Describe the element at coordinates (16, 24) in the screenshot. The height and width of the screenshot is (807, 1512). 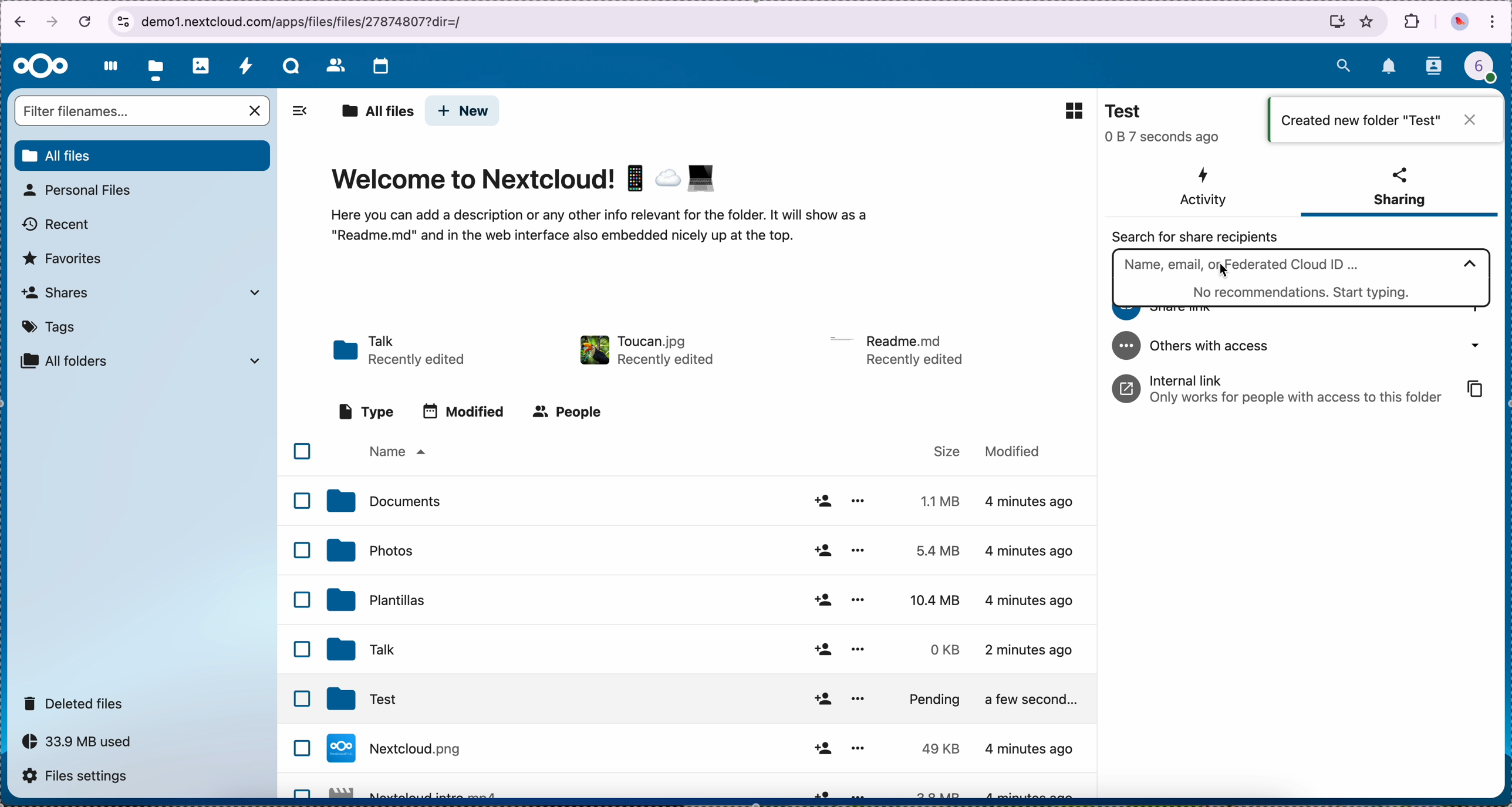
I see `navigate back` at that location.